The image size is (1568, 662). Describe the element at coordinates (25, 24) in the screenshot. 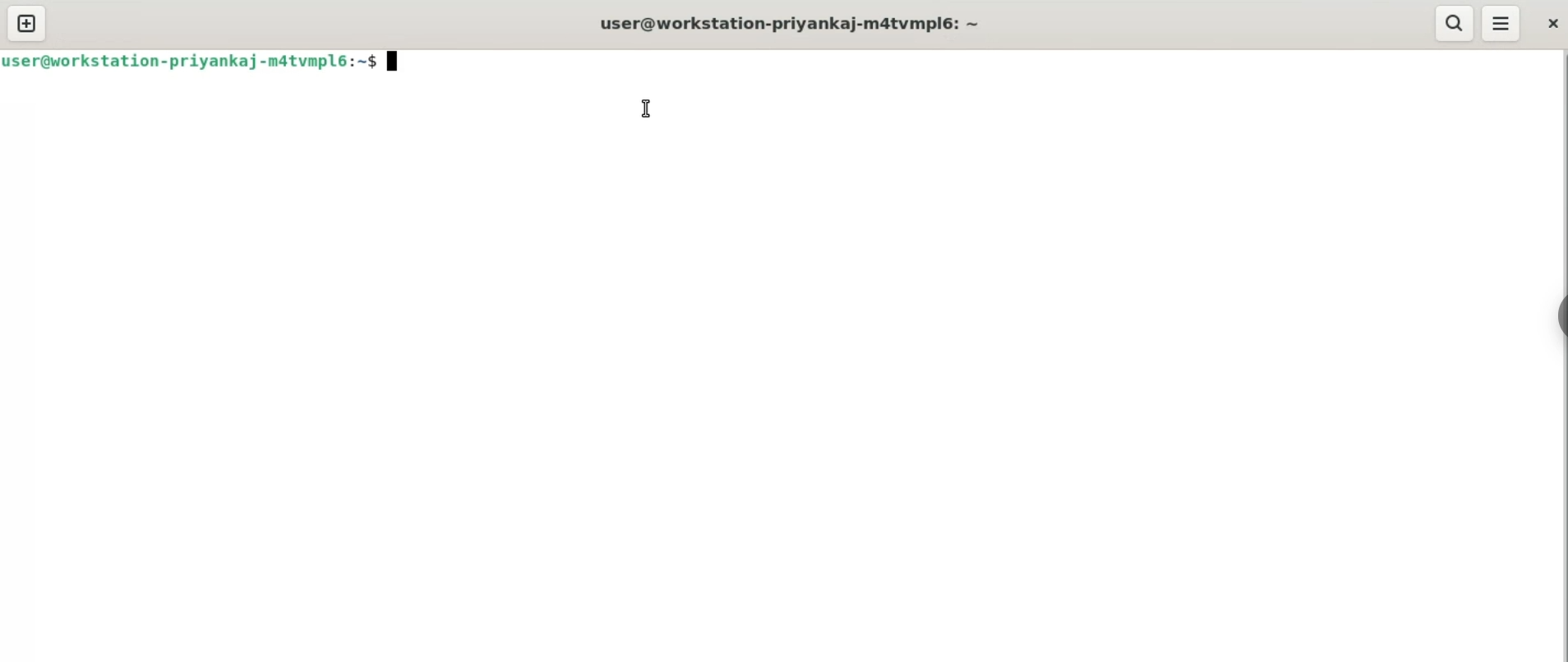

I see `new tab` at that location.